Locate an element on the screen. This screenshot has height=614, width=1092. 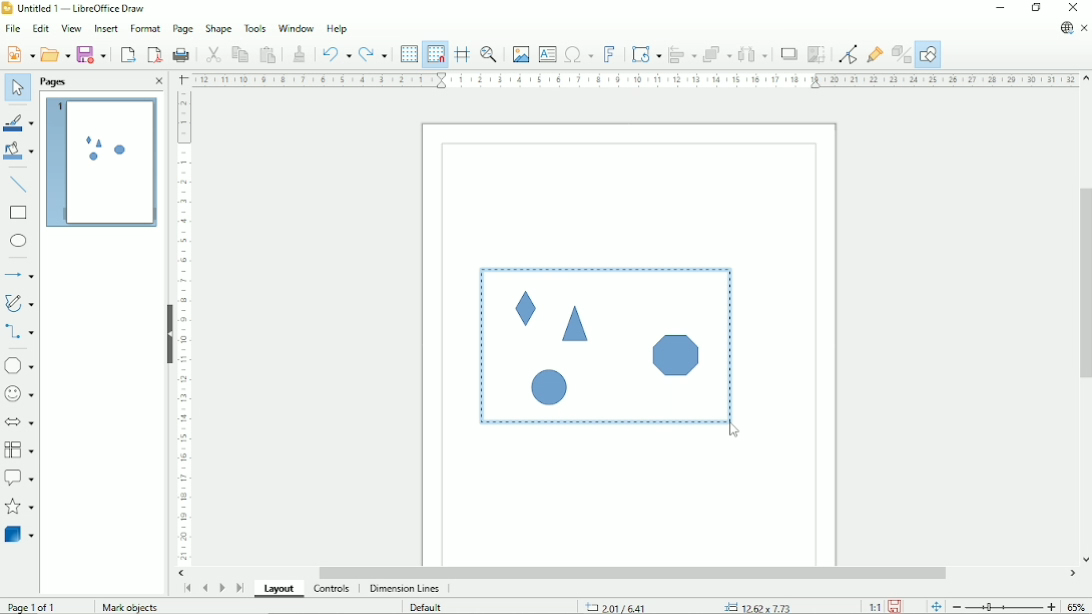
Fill color is located at coordinates (20, 153).